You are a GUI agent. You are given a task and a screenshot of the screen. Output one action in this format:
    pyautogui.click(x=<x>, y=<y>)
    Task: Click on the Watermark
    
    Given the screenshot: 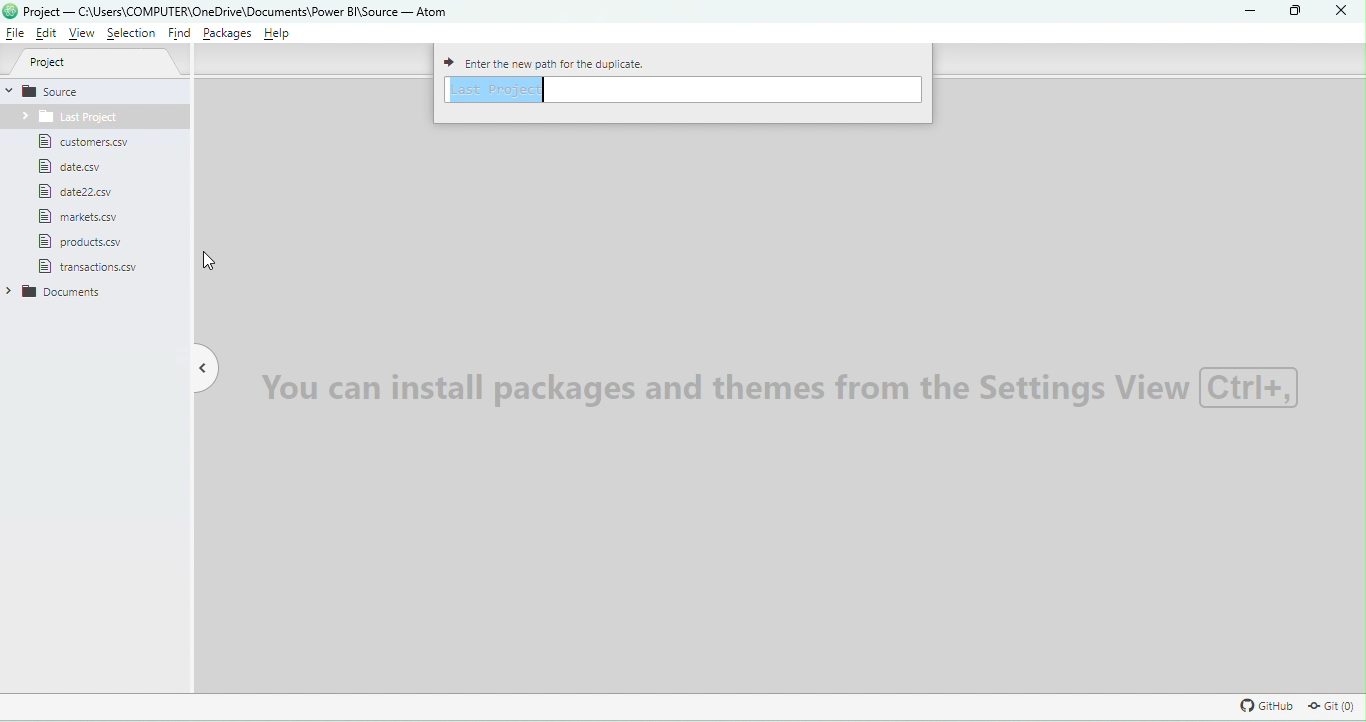 What is the action you would take?
    pyautogui.click(x=792, y=387)
    